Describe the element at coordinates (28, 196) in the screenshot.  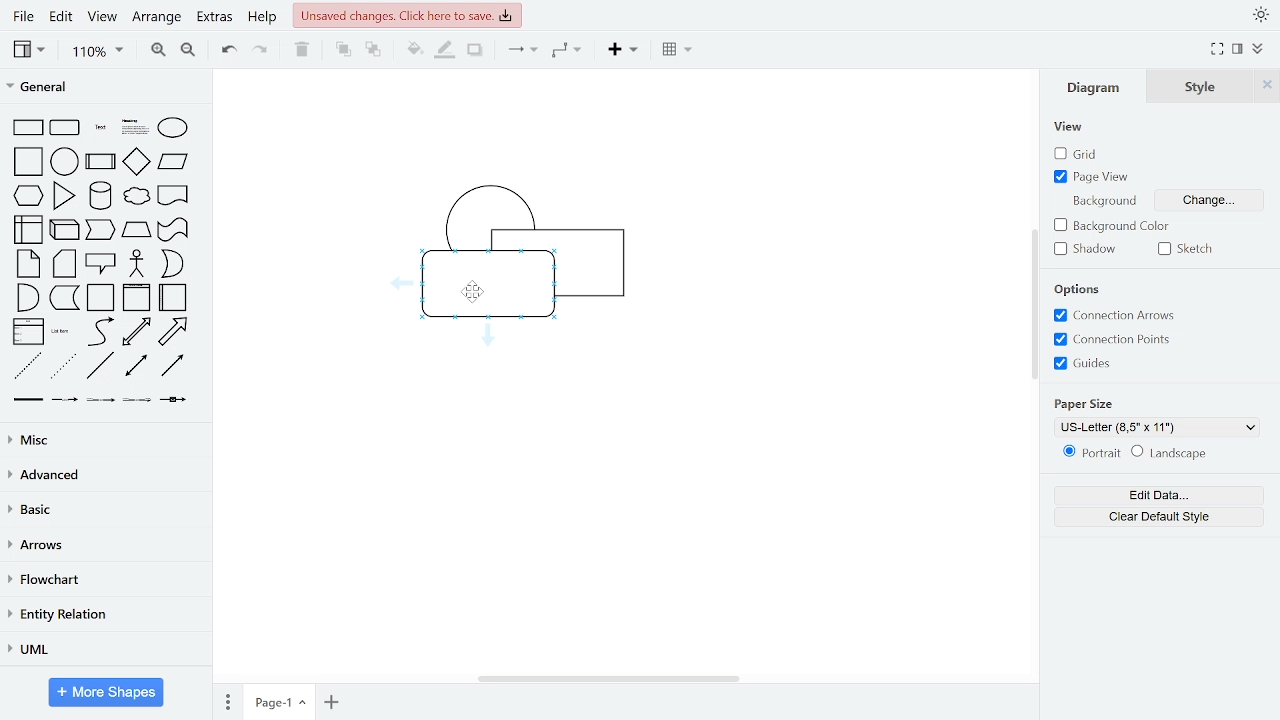
I see `hexagon` at that location.